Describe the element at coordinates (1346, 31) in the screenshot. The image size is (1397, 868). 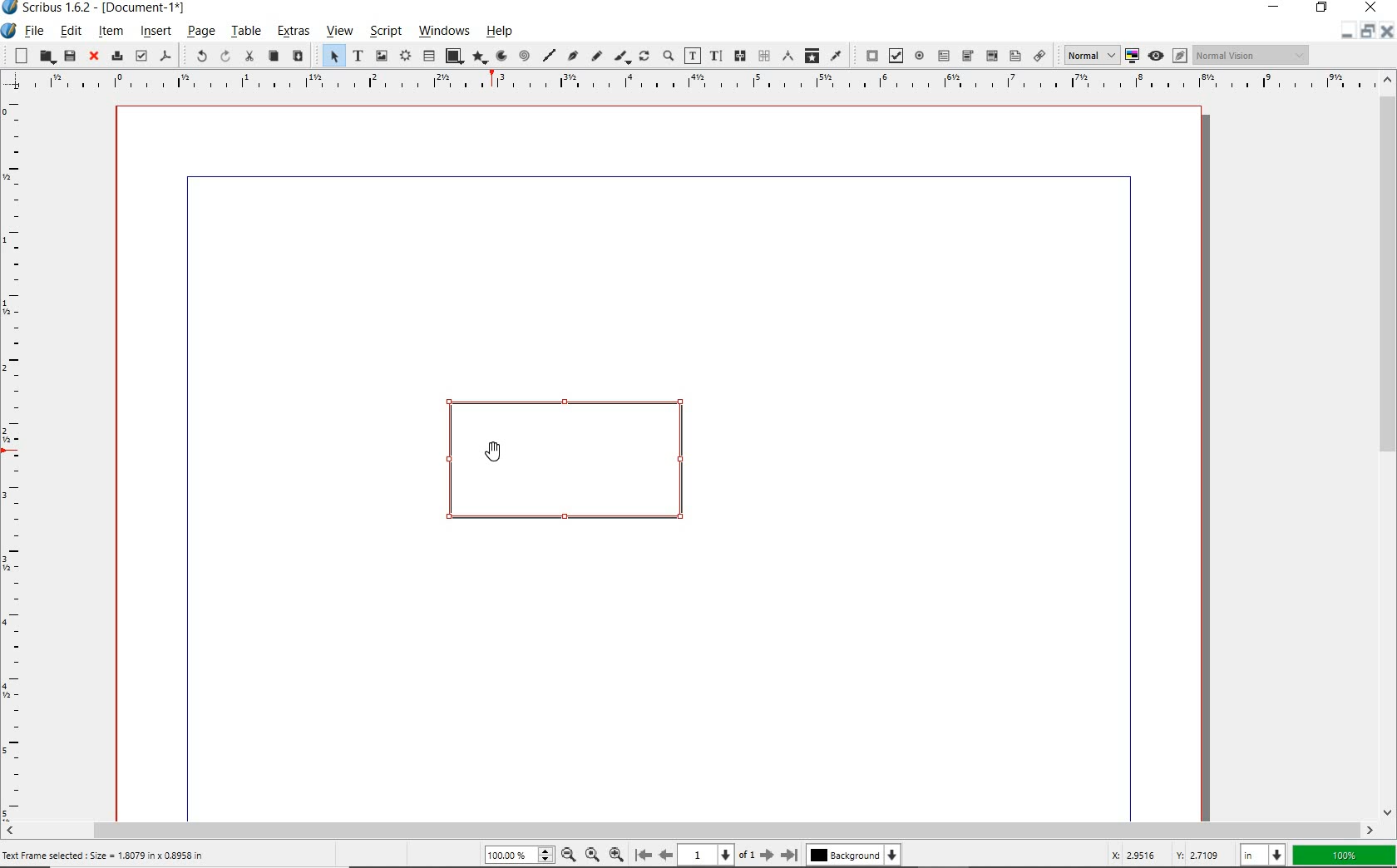
I see `Restore Down` at that location.